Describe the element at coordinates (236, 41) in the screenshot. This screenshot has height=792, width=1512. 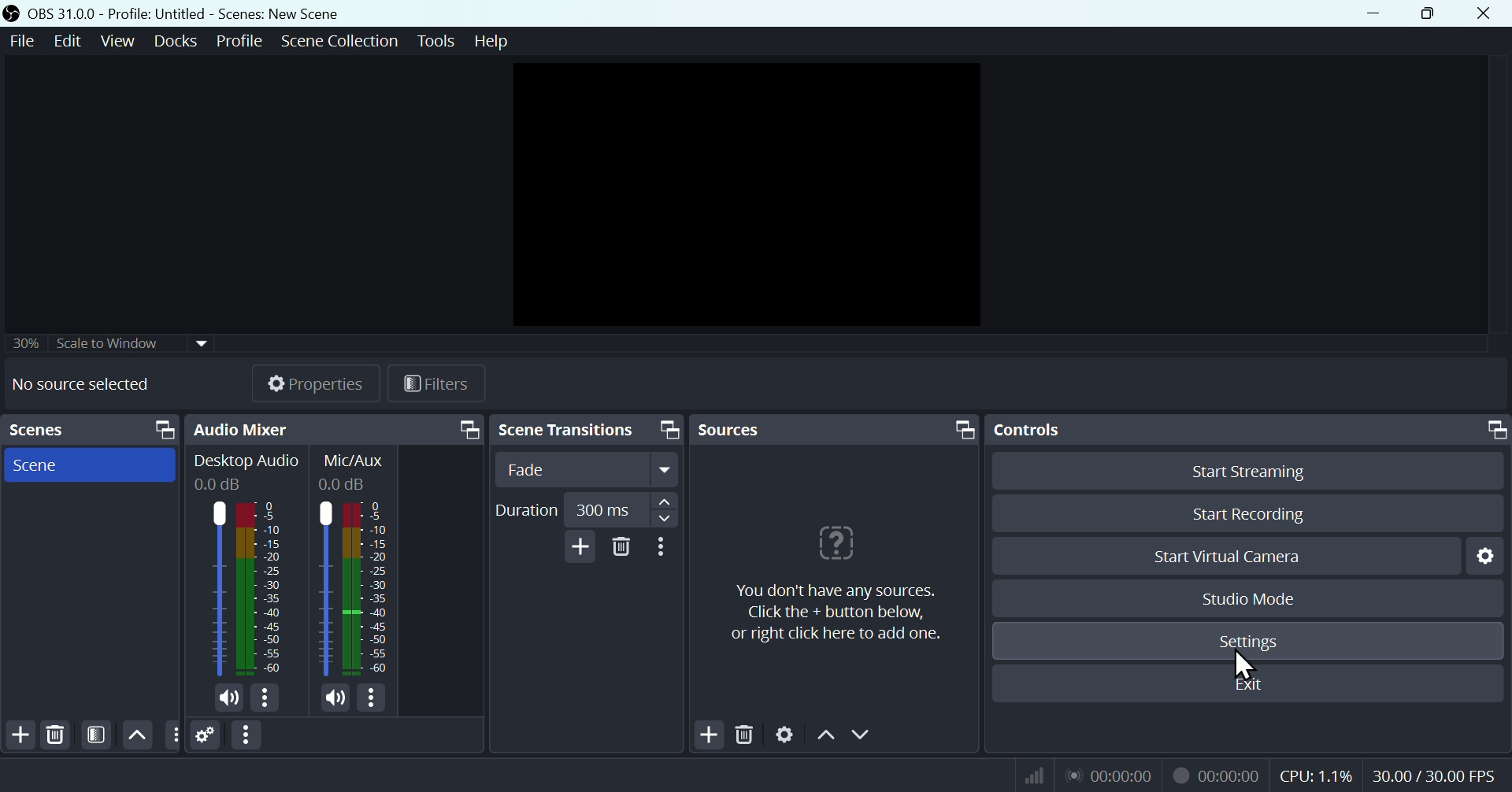
I see `Profile` at that location.